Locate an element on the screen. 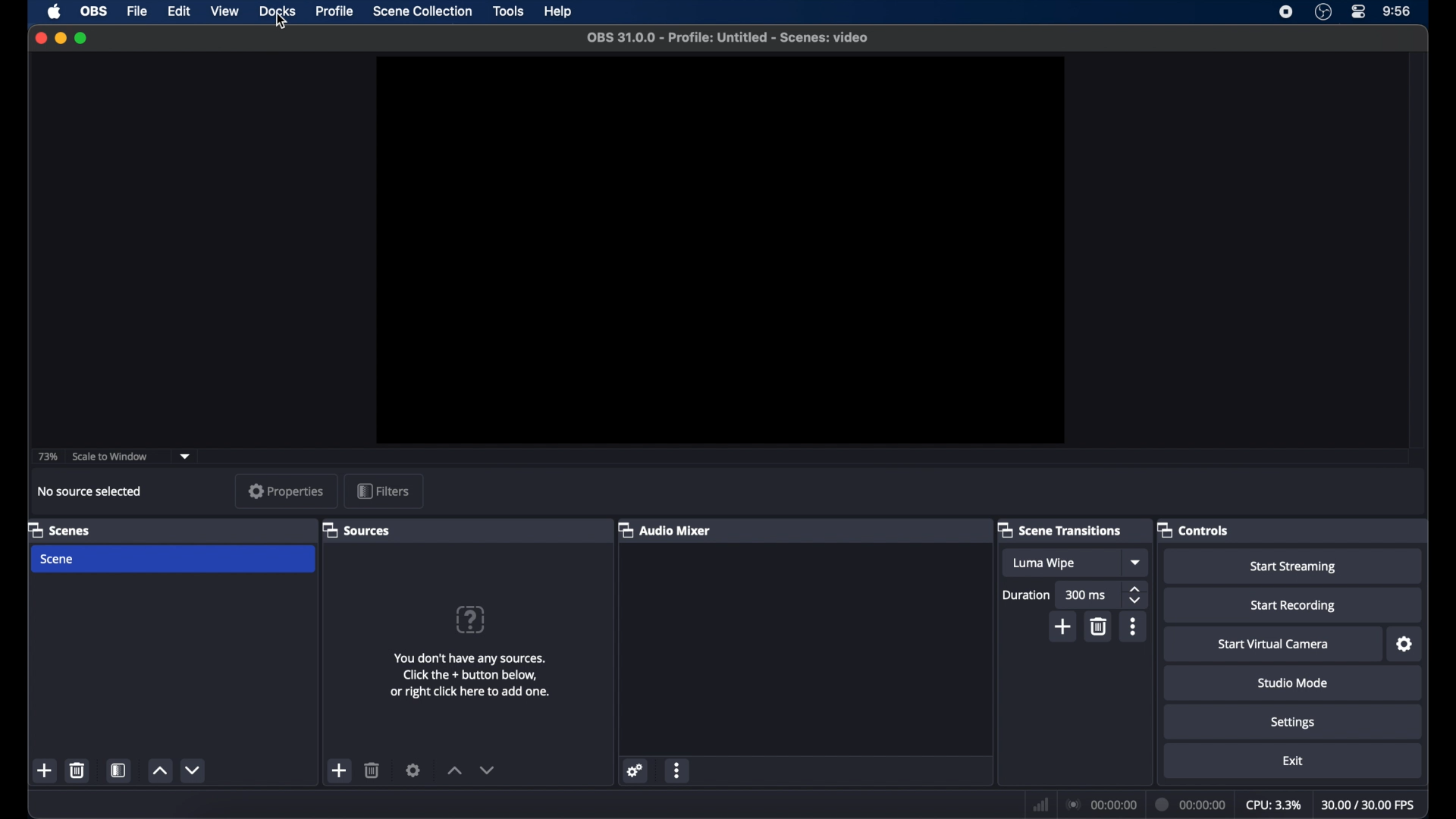 The width and height of the screenshot is (1456, 819). increment is located at coordinates (159, 771).